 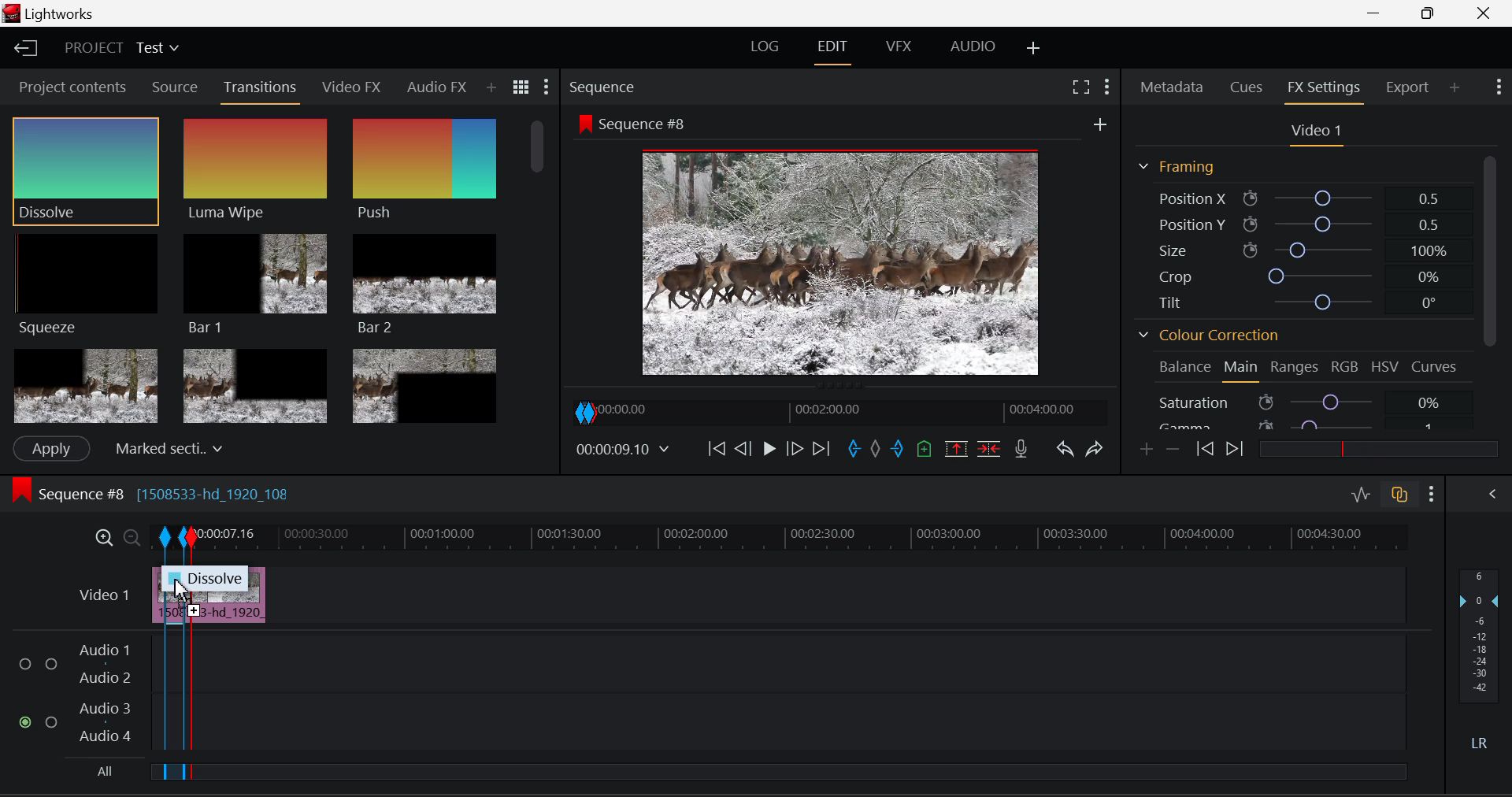 I want to click on Apply, so click(x=52, y=449).